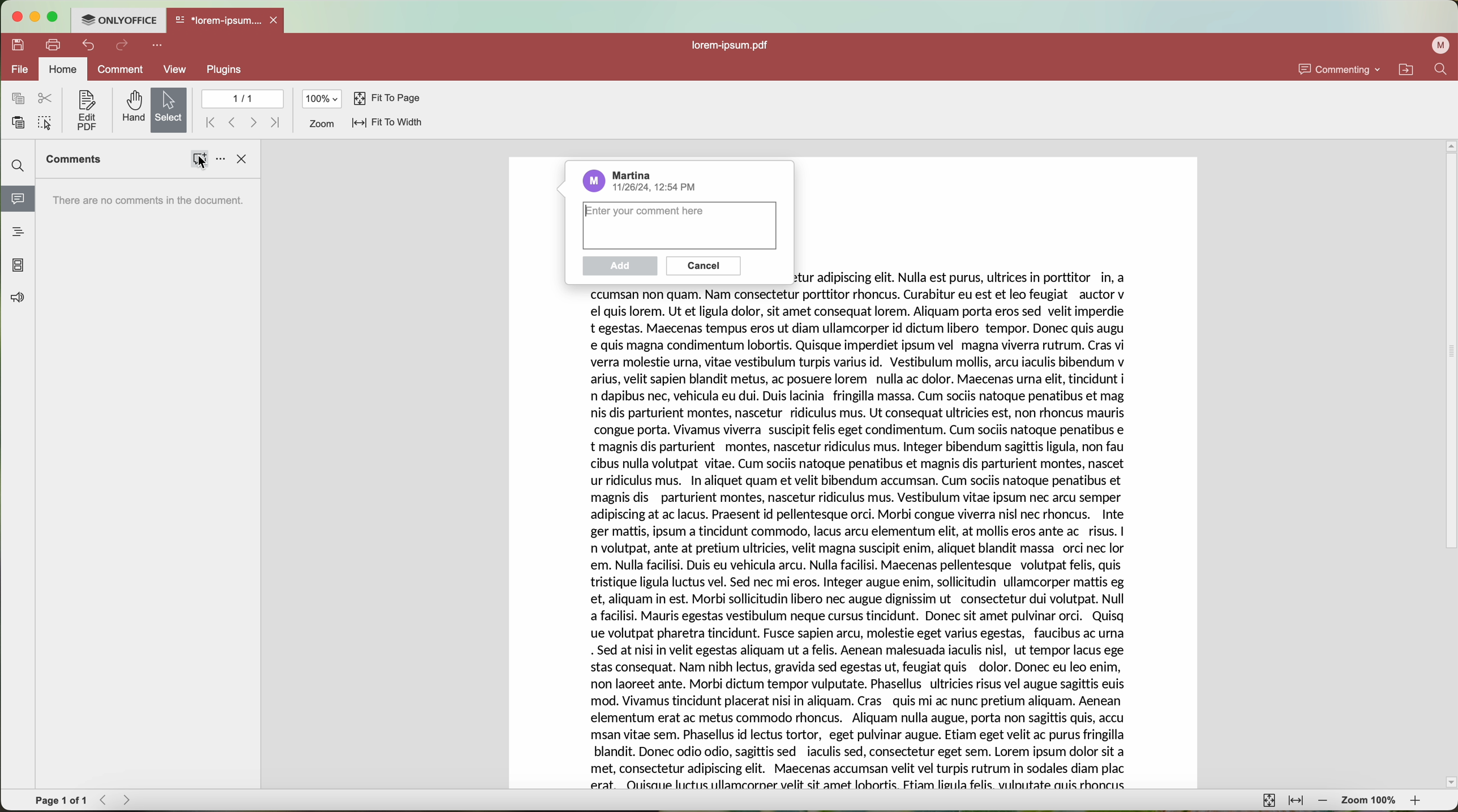 This screenshot has width=1458, height=812. Describe the element at coordinates (131, 108) in the screenshot. I see `hand` at that location.